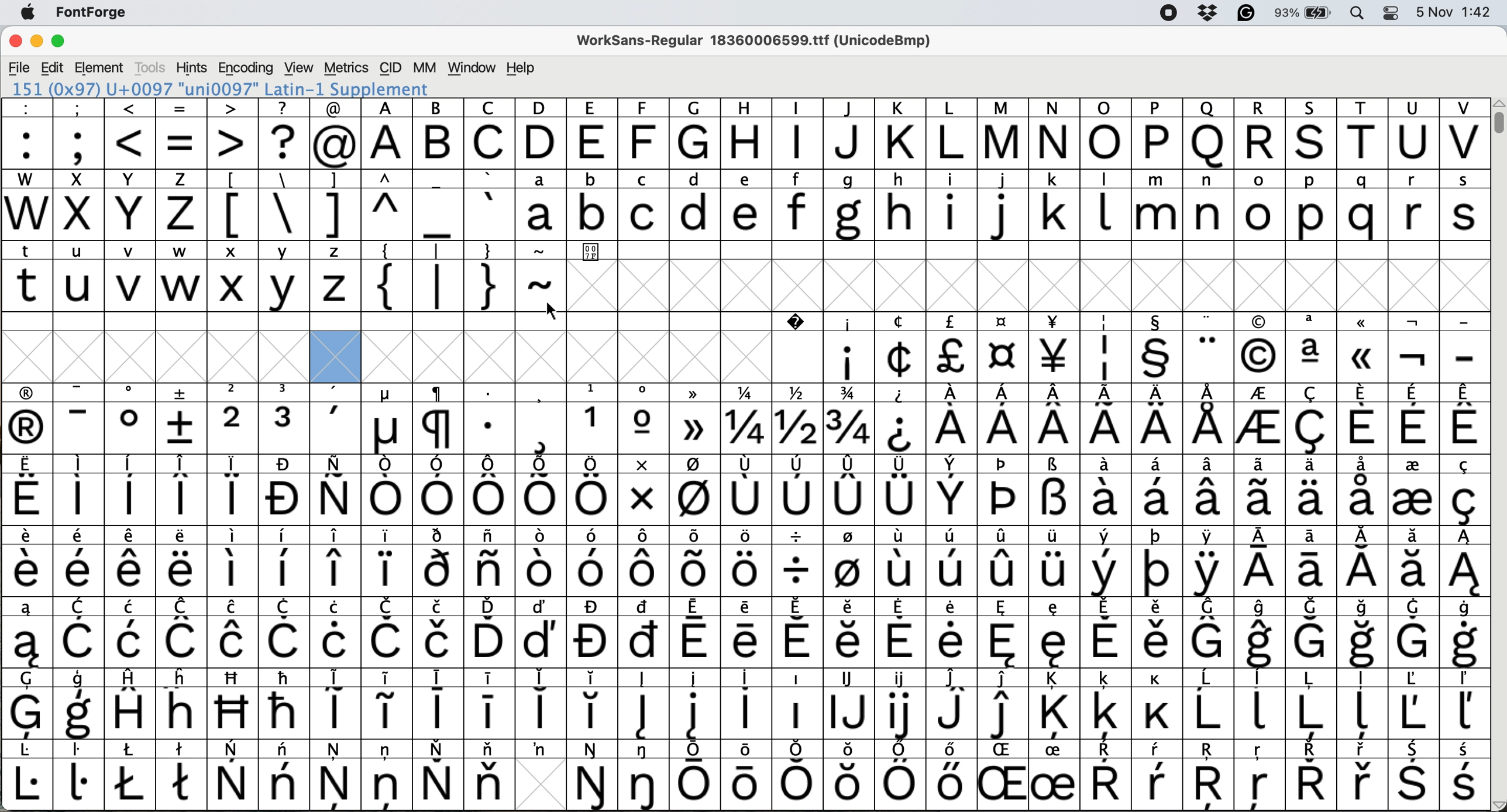 The image size is (1507, 812). I want to click on @, so click(336, 134).